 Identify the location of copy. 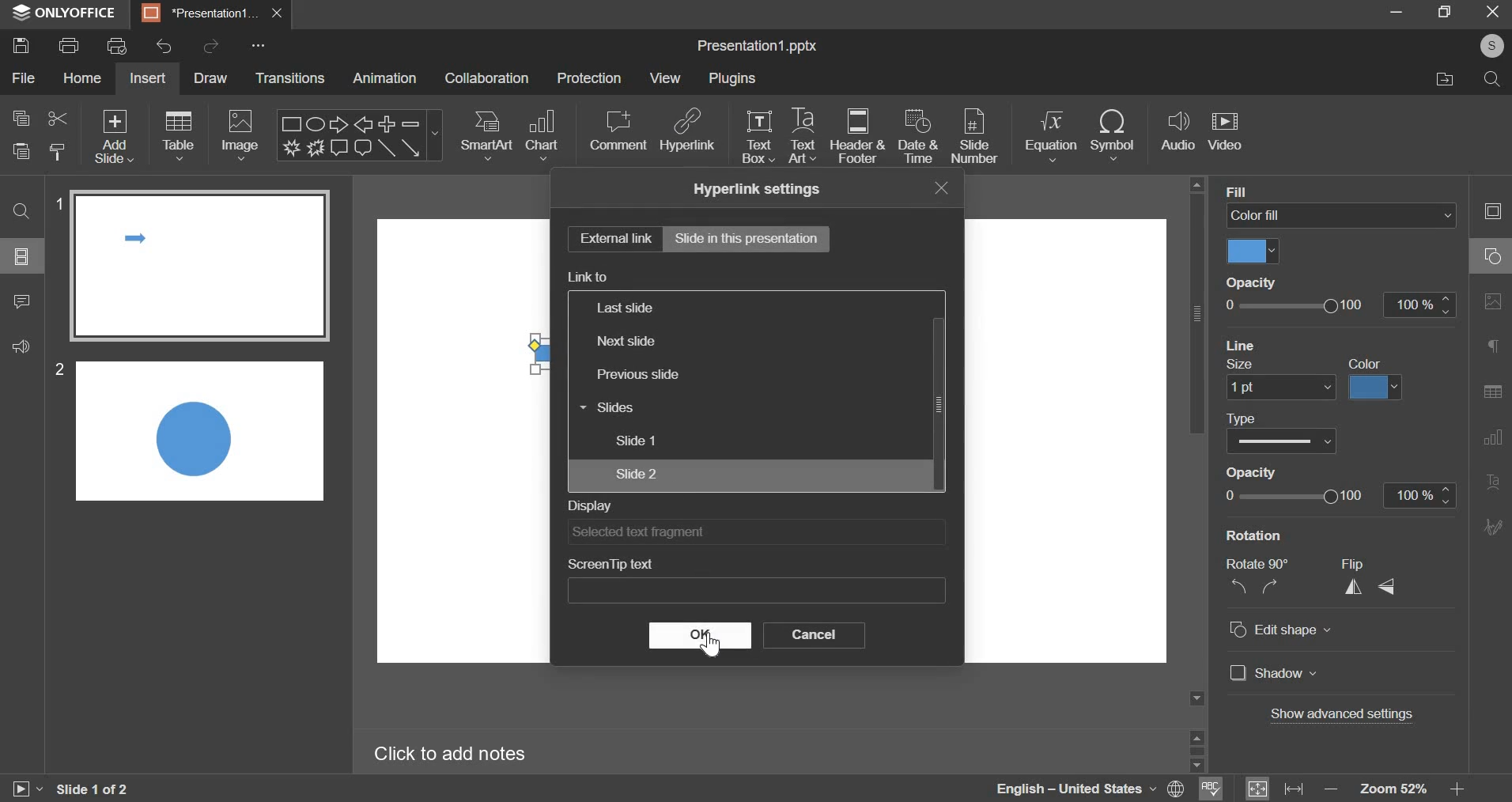
(21, 118).